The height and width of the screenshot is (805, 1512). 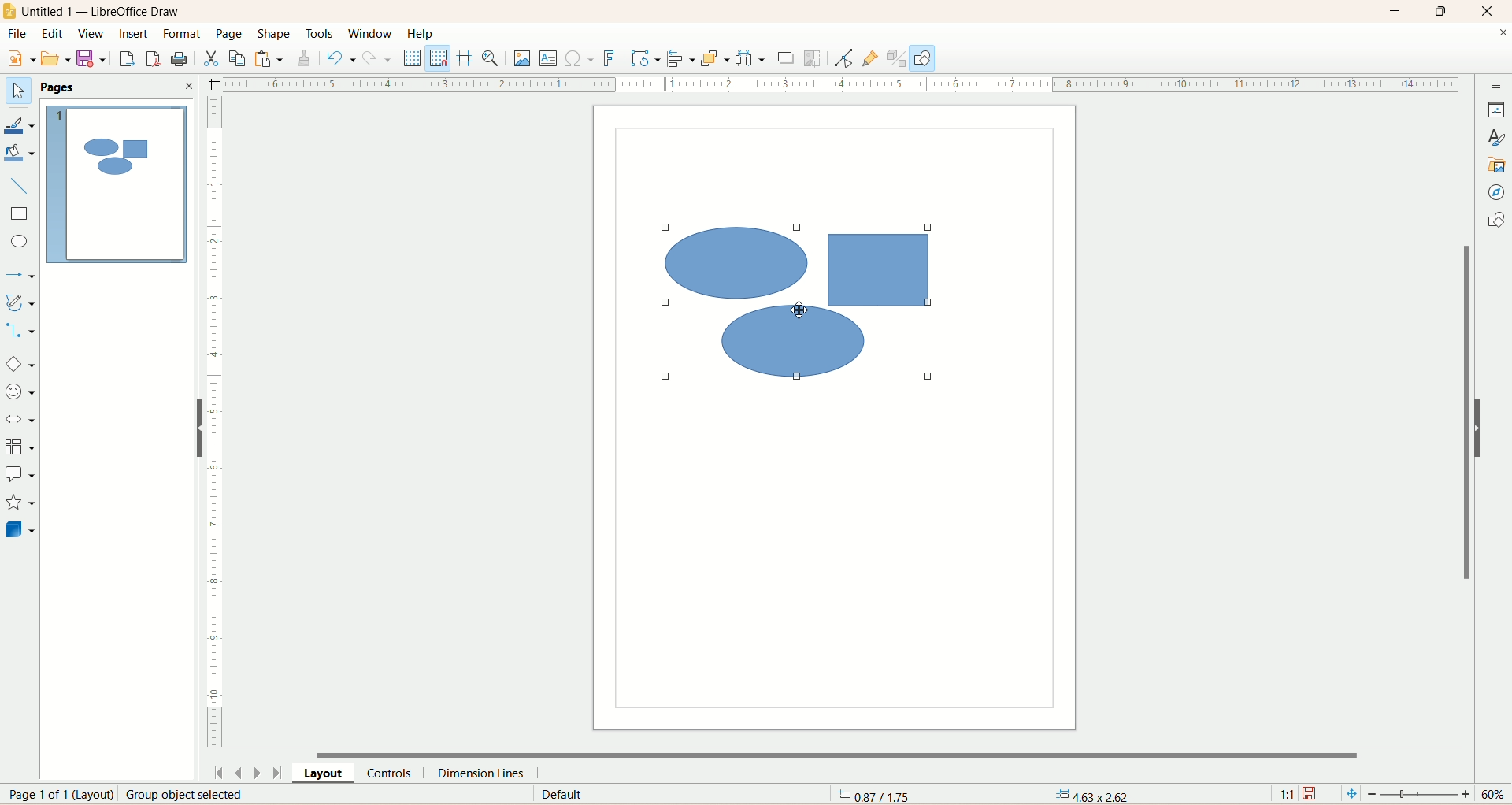 I want to click on layout, so click(x=324, y=771).